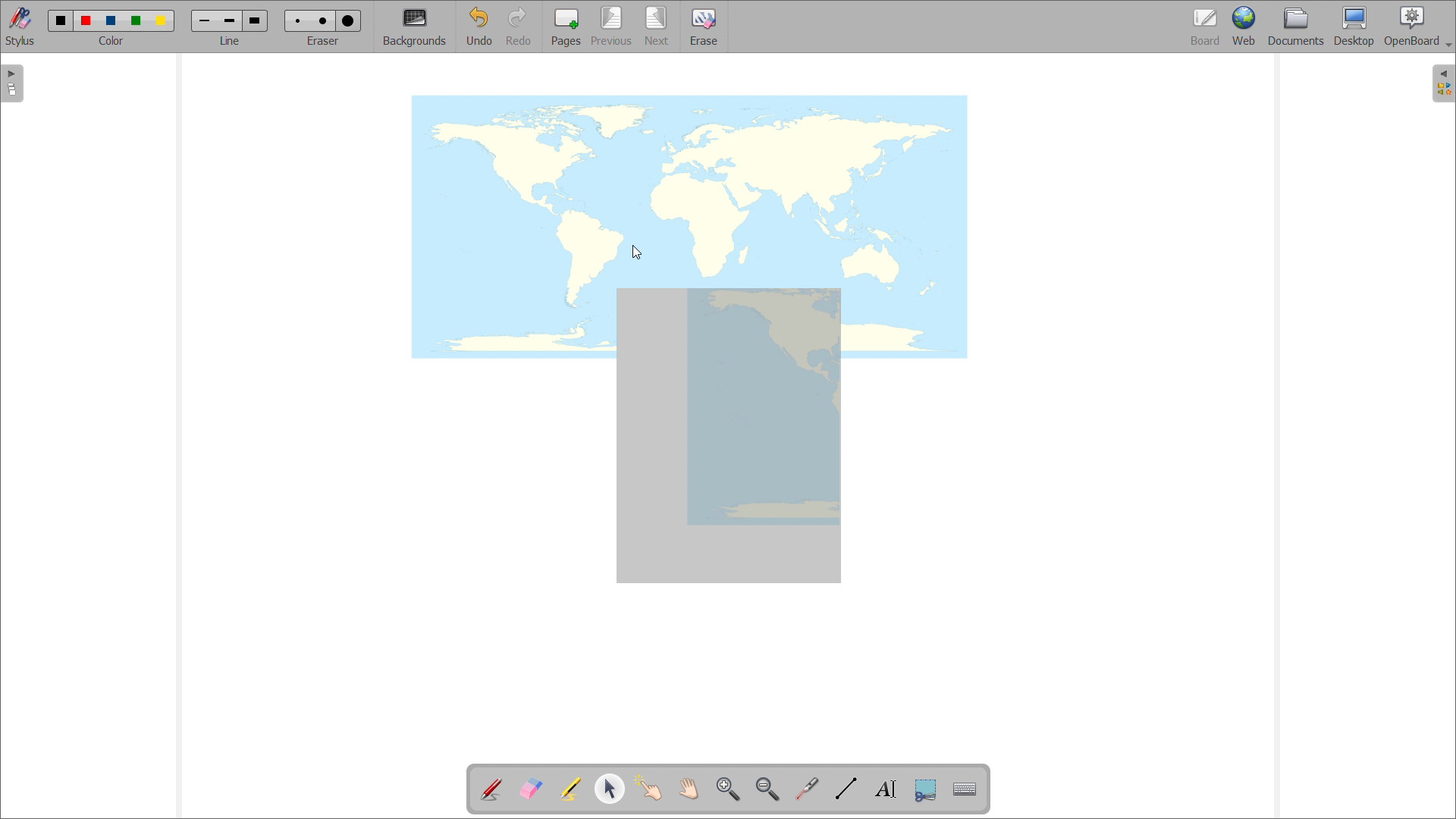 The height and width of the screenshot is (819, 1456). I want to click on capture part of the screen, so click(925, 790).